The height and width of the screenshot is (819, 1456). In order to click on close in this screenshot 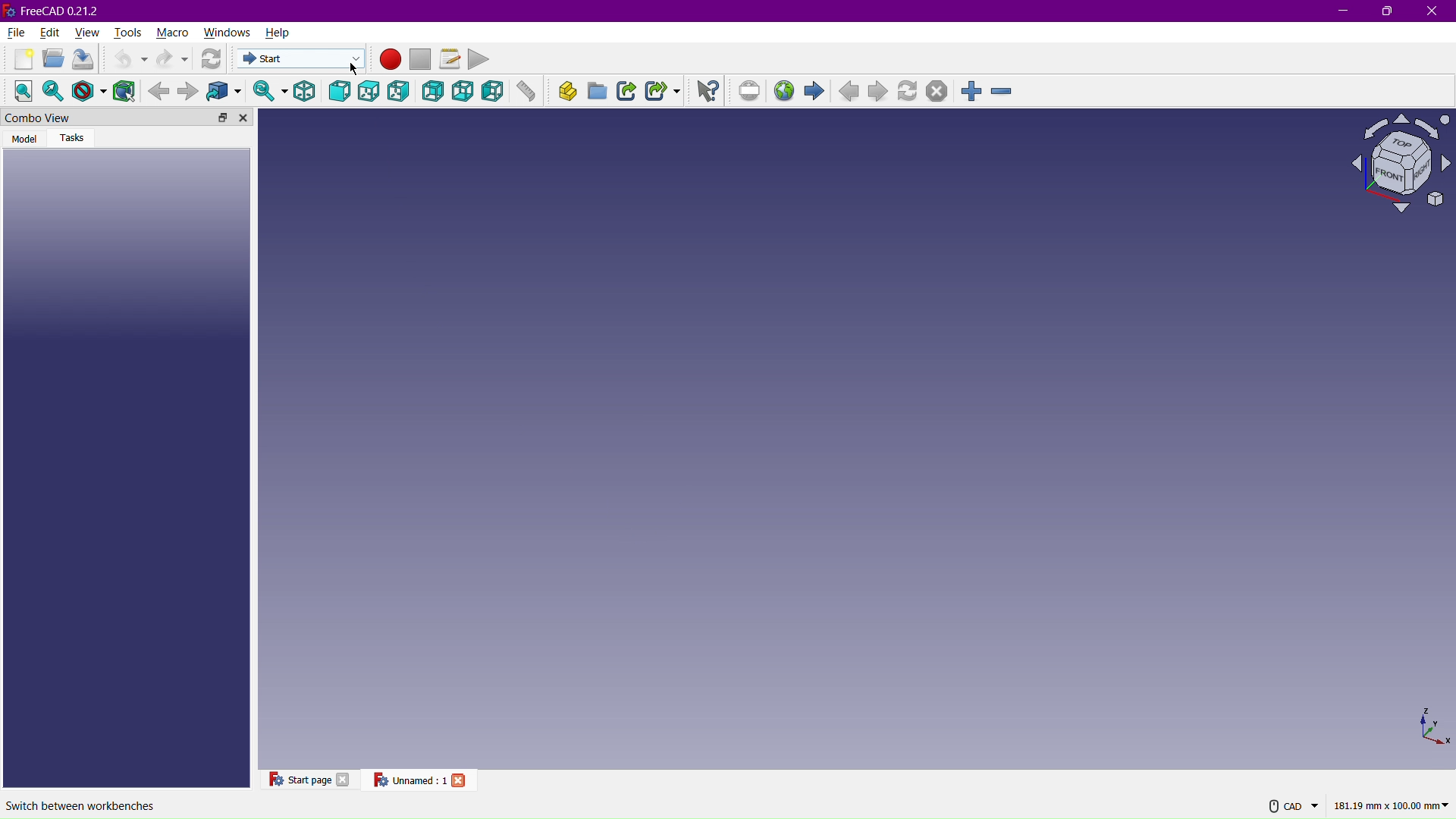, I will do `click(344, 780)`.